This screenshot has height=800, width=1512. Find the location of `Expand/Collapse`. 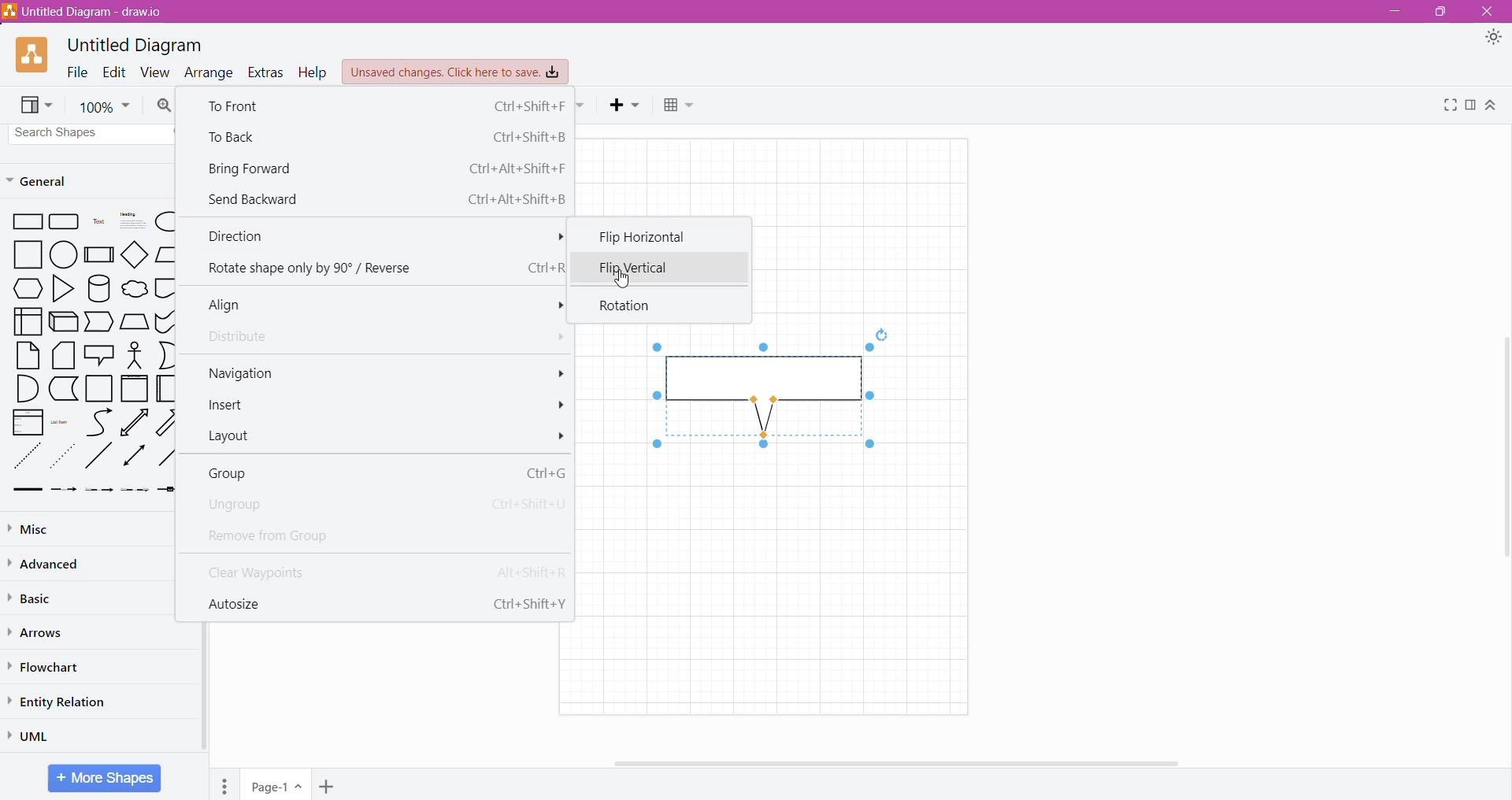

Expand/Collapse is located at coordinates (1492, 106).